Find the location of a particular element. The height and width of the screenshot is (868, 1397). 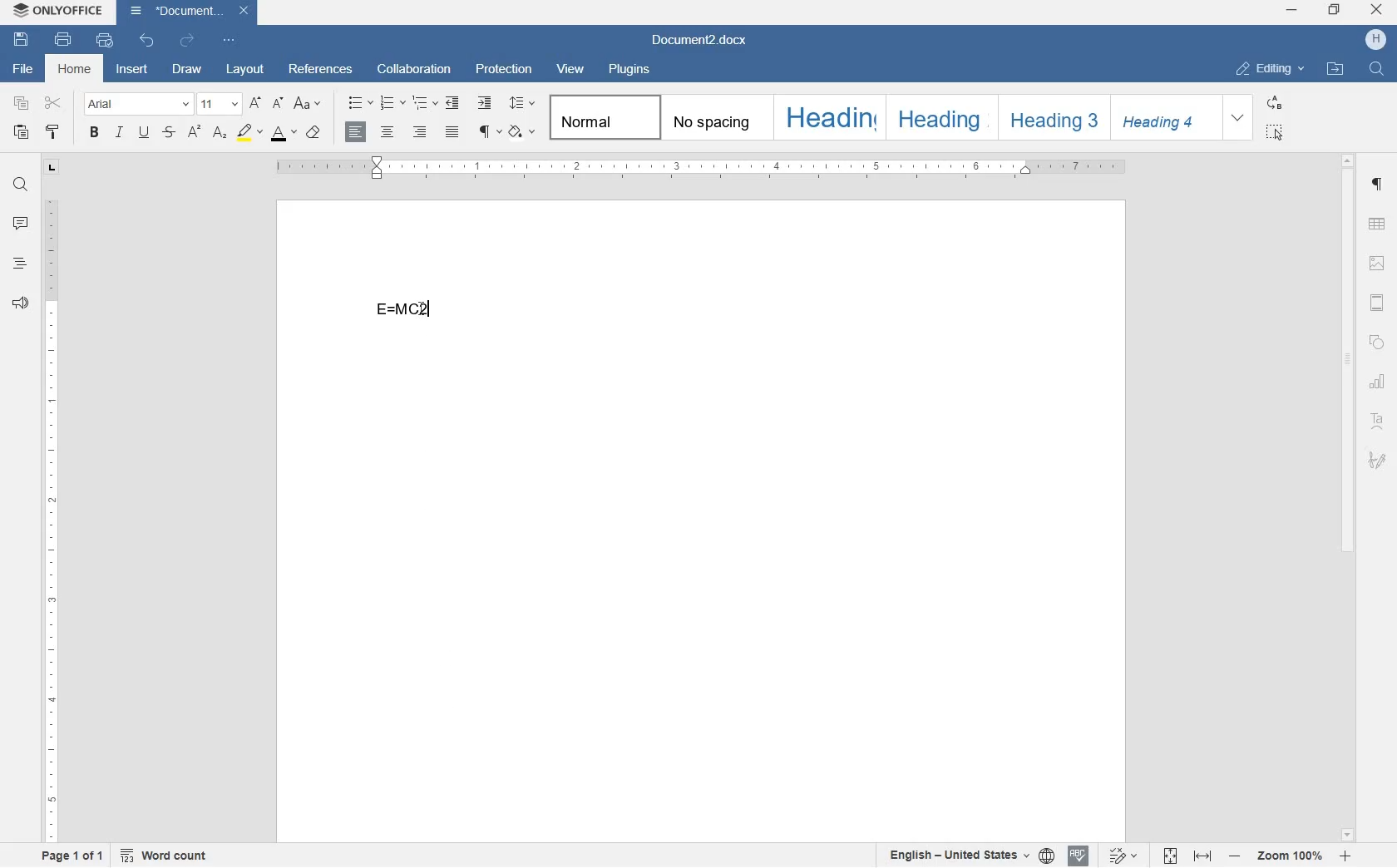

image is located at coordinates (1378, 264).